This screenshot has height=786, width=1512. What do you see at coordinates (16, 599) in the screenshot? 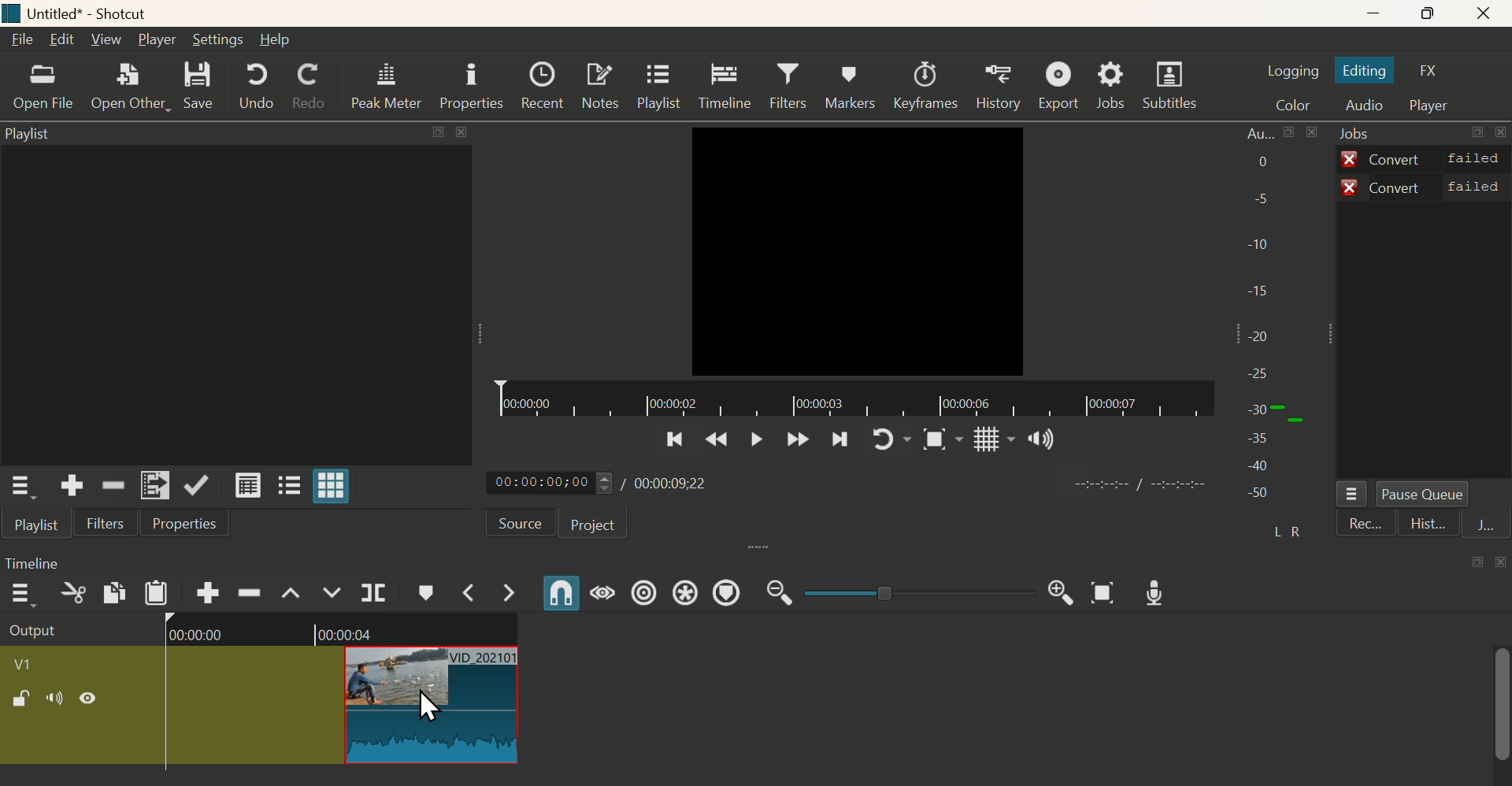
I see `more options` at bounding box center [16, 599].